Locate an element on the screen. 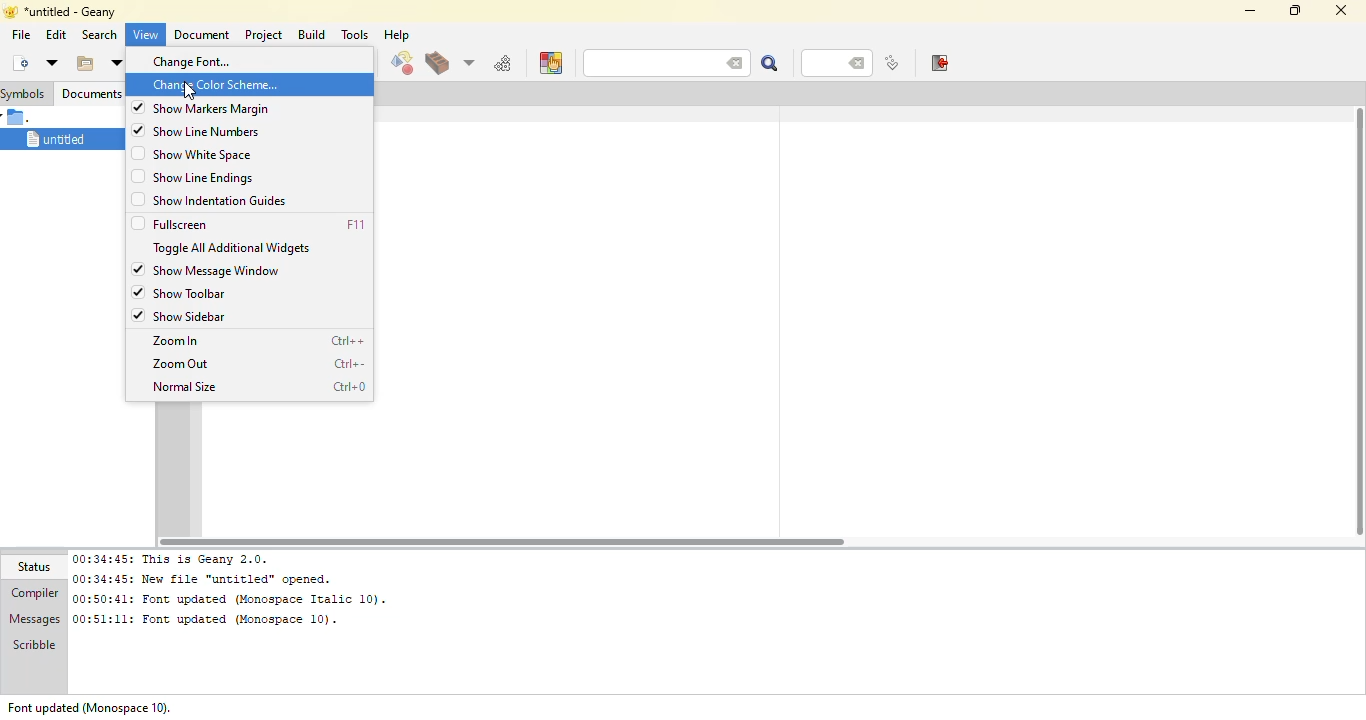  minimize is located at coordinates (1247, 10).